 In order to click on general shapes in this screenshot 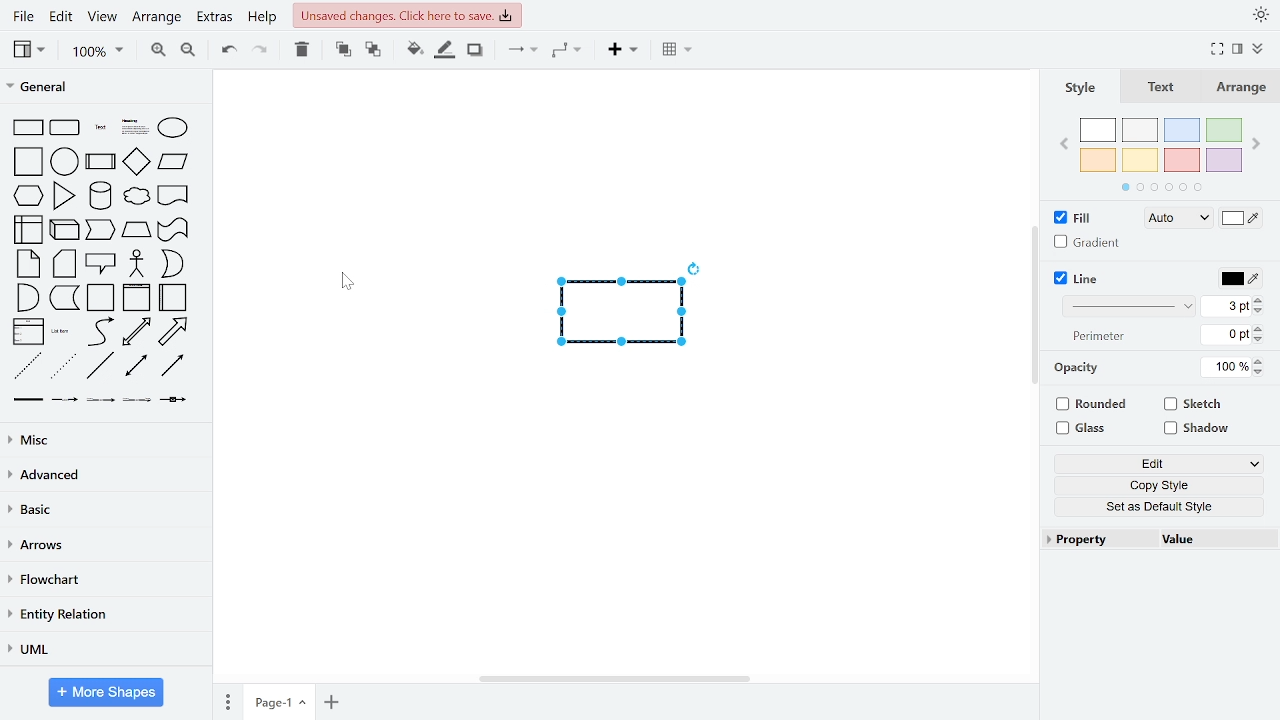, I will do `click(28, 331)`.